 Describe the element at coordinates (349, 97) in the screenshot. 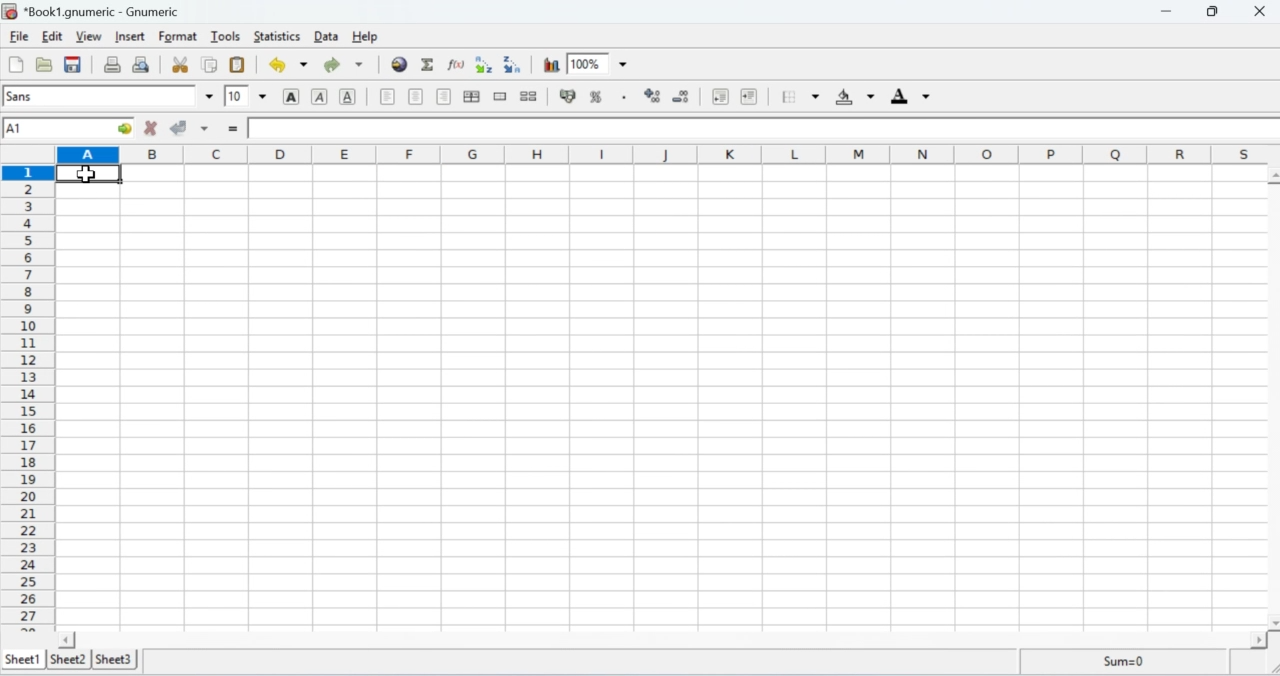

I see `Underline` at that location.